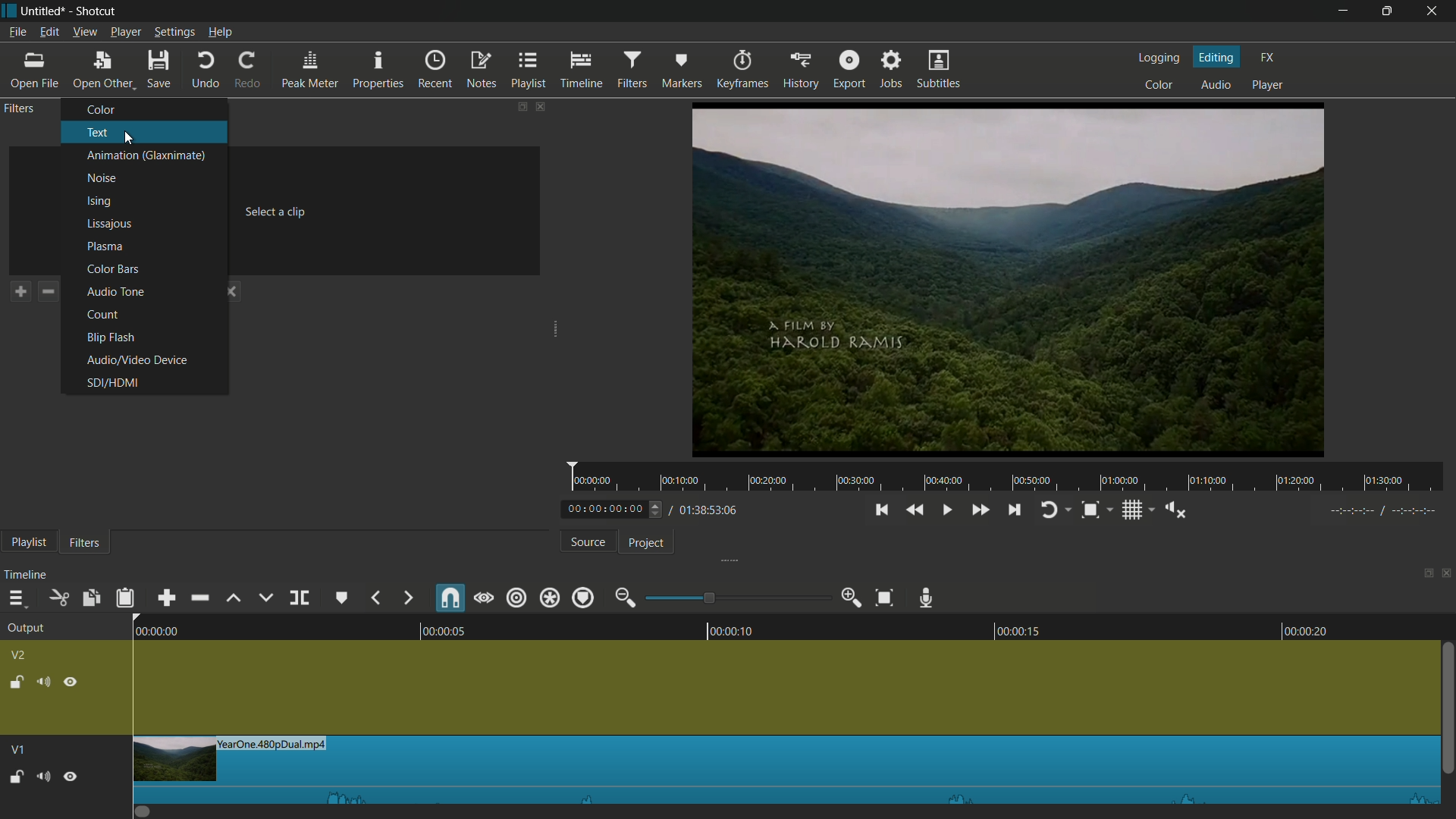  What do you see at coordinates (42, 681) in the screenshot?
I see `mute` at bounding box center [42, 681].